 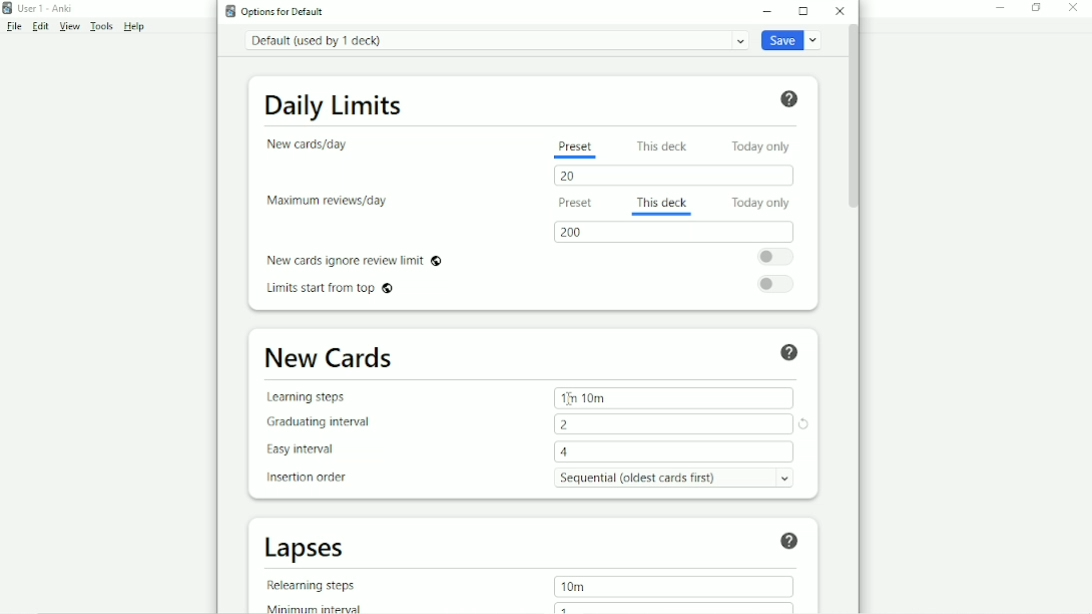 I want to click on Today only, so click(x=762, y=146).